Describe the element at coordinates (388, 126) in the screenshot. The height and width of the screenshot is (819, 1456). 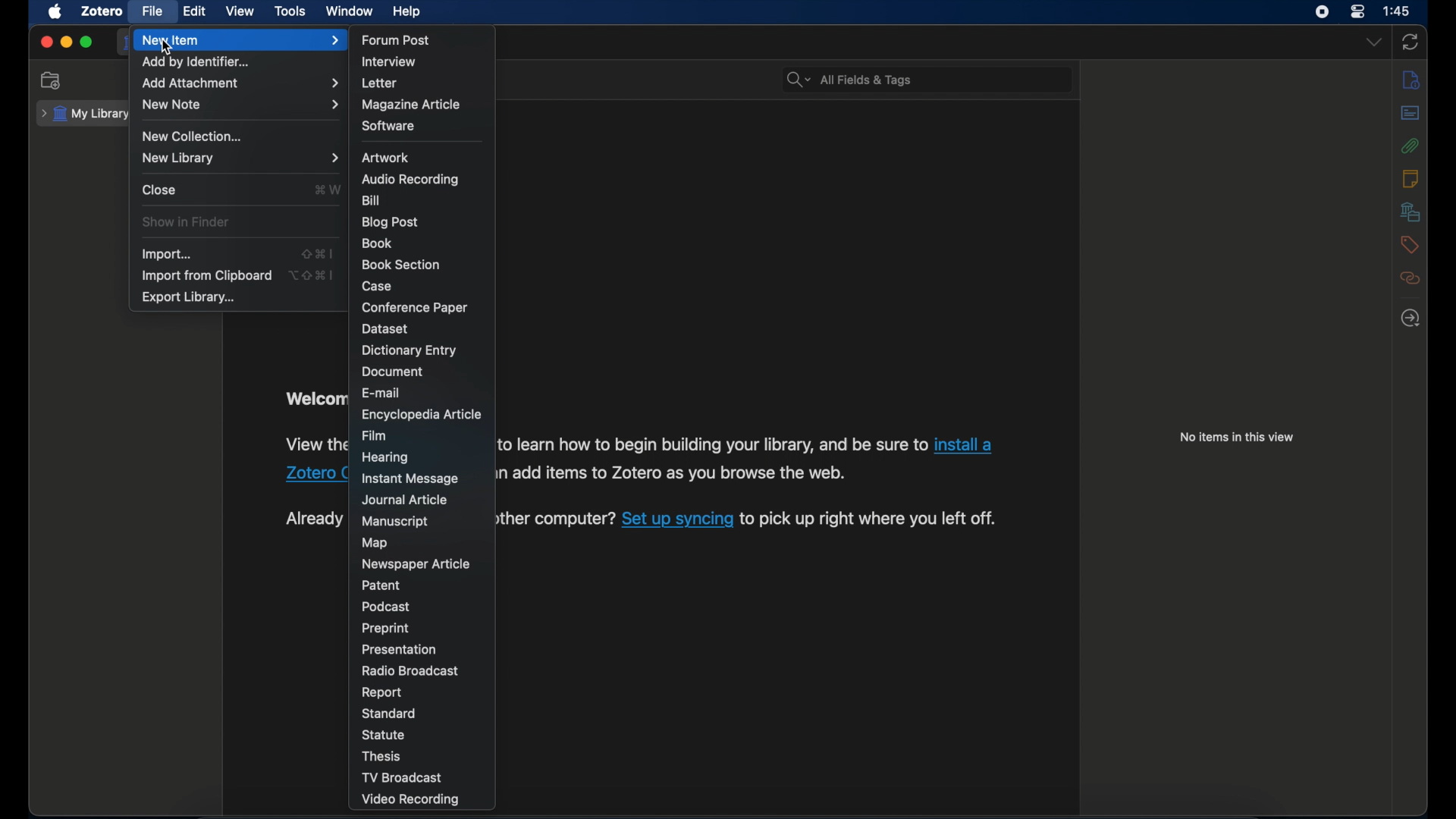
I see `software` at that location.